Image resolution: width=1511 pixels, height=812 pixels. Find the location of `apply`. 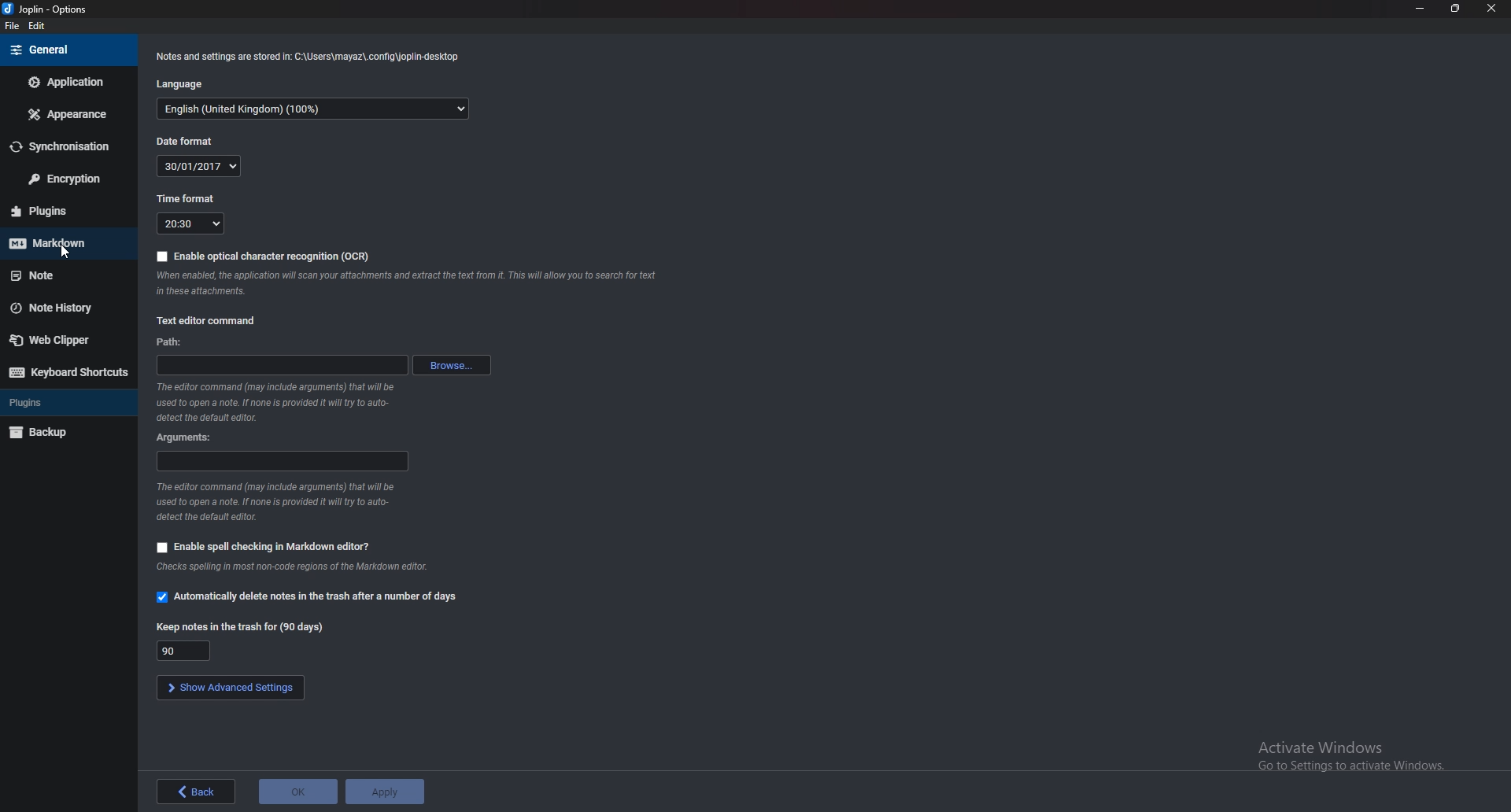

apply is located at coordinates (383, 791).